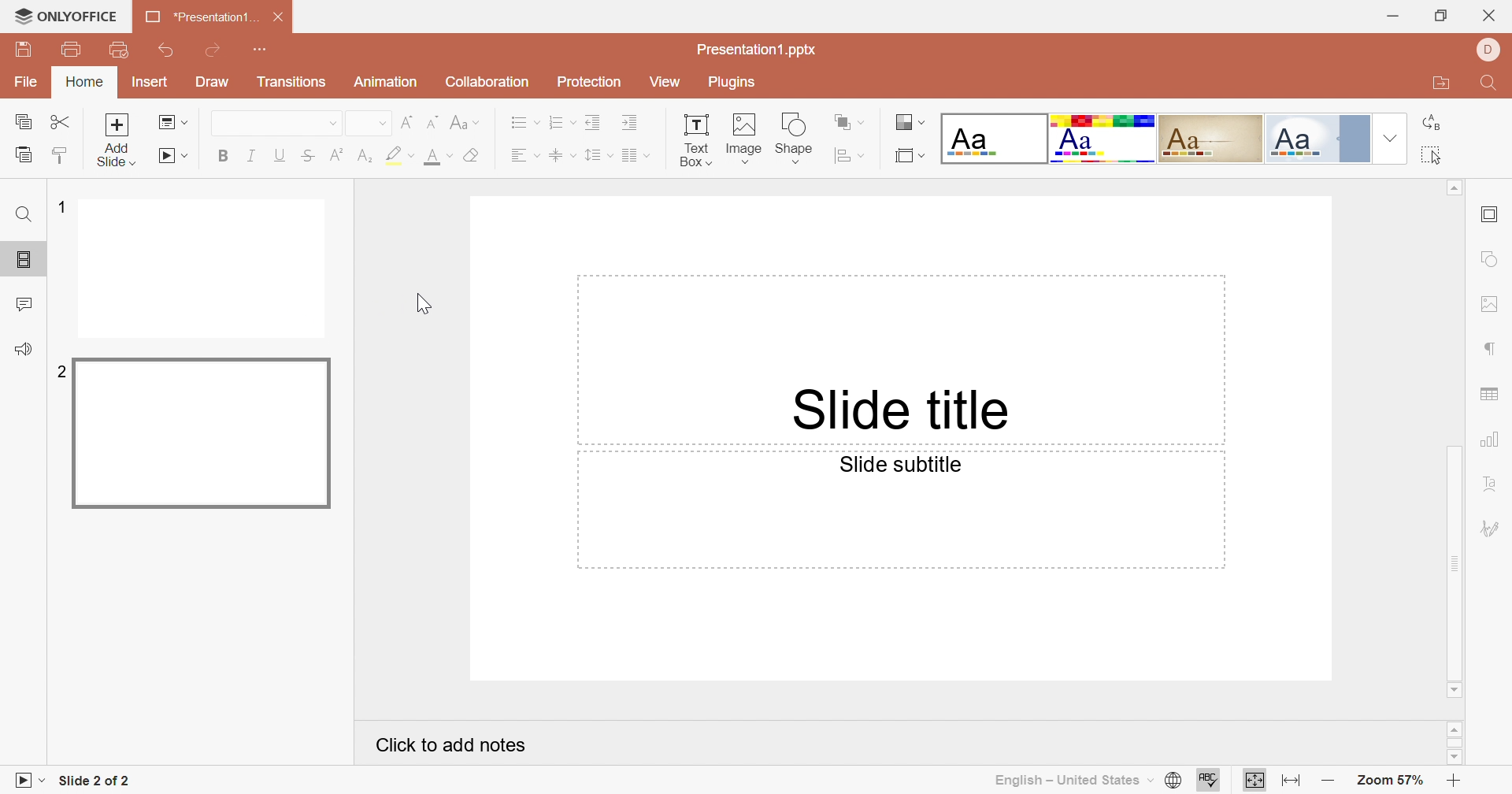  Describe the element at coordinates (453, 744) in the screenshot. I see `Click to Add notes` at that location.